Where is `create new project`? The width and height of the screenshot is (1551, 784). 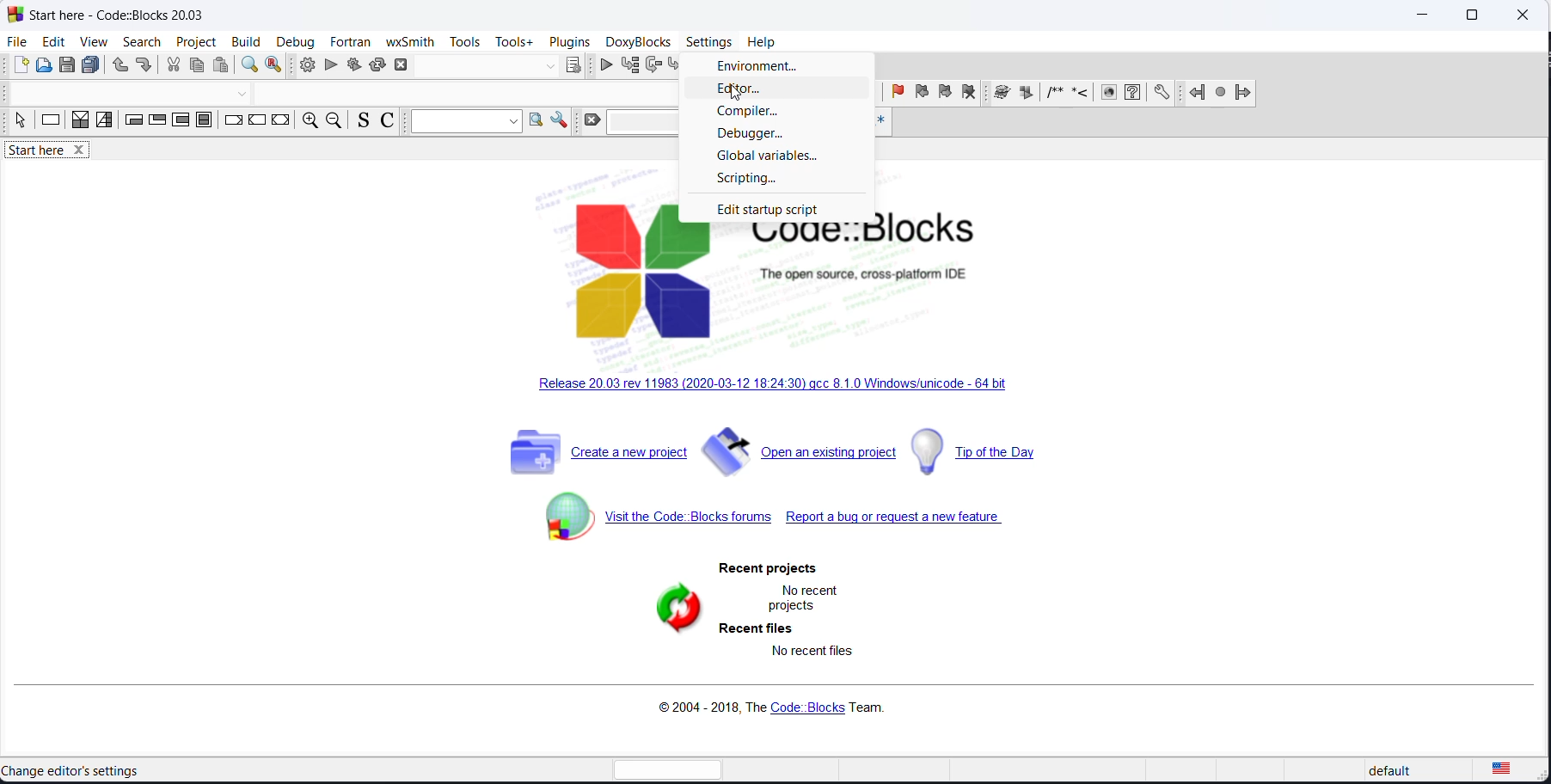 create new project is located at coordinates (591, 455).